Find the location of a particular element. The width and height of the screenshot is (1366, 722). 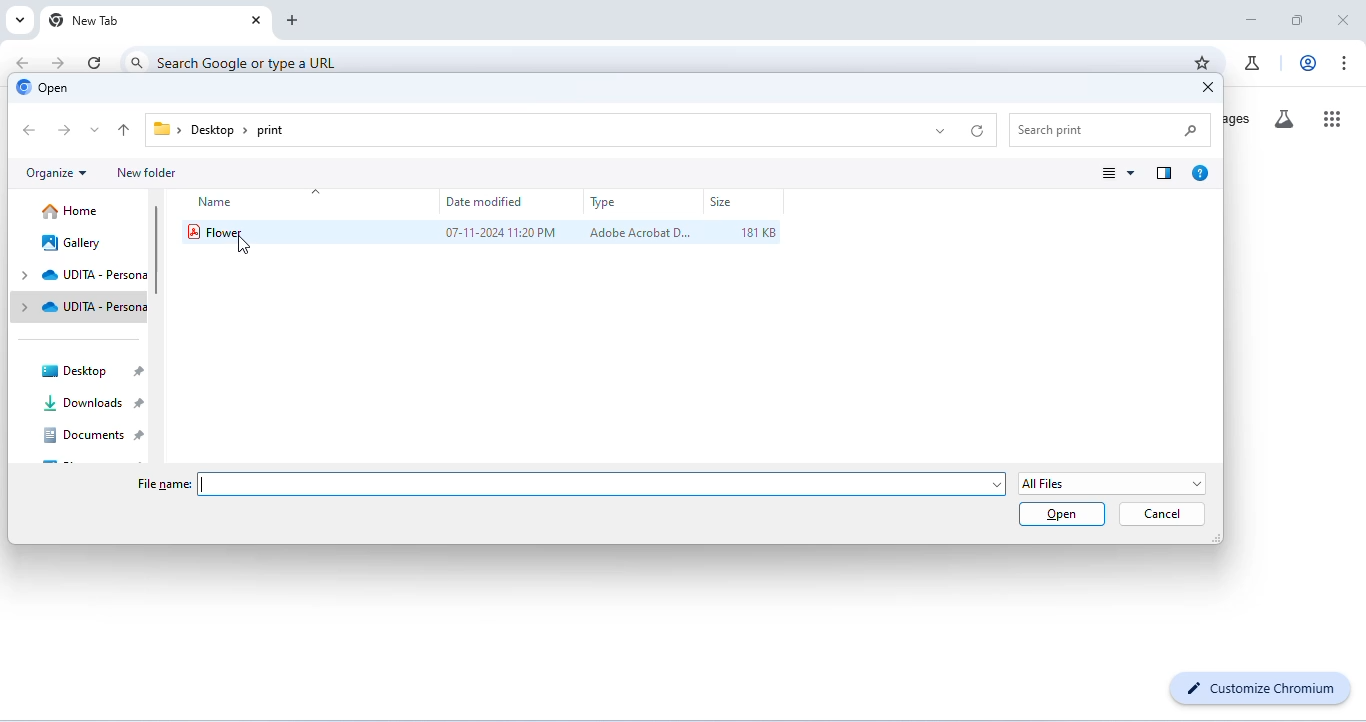

drop down is located at coordinates (27, 292).